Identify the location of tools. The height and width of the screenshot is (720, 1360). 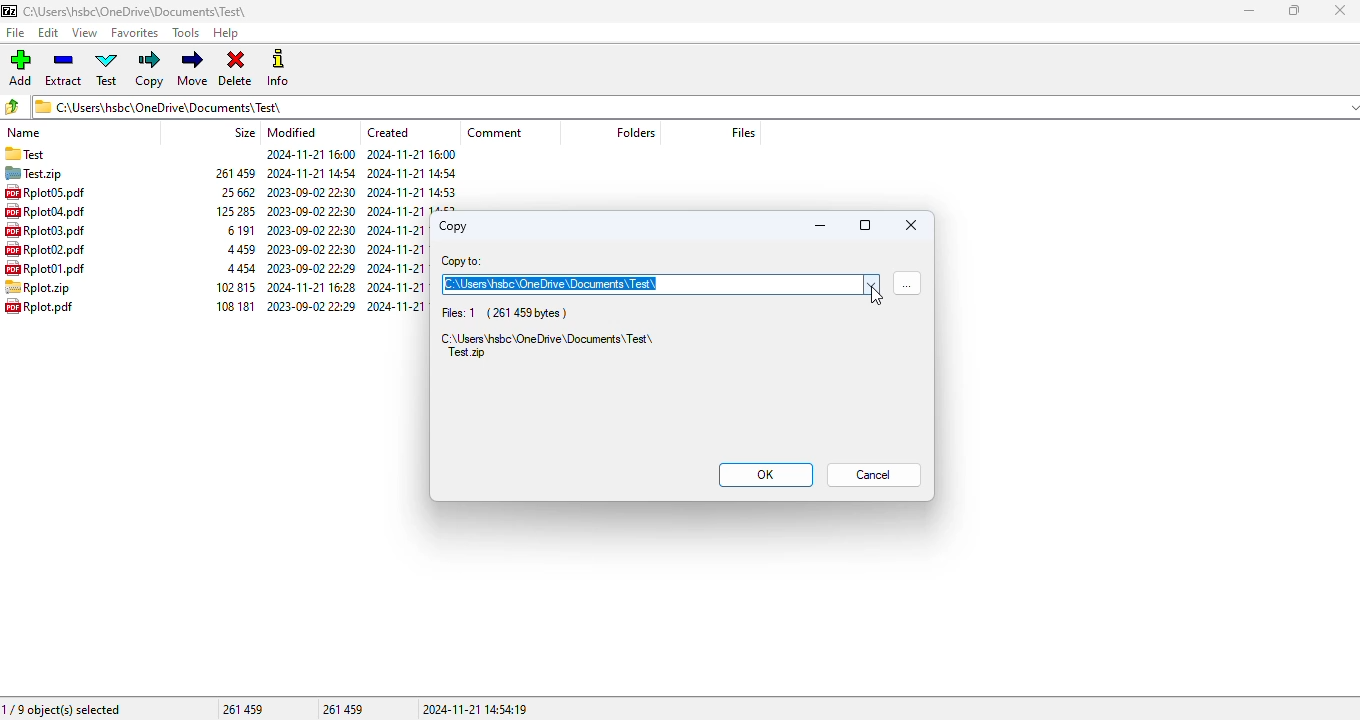
(184, 33).